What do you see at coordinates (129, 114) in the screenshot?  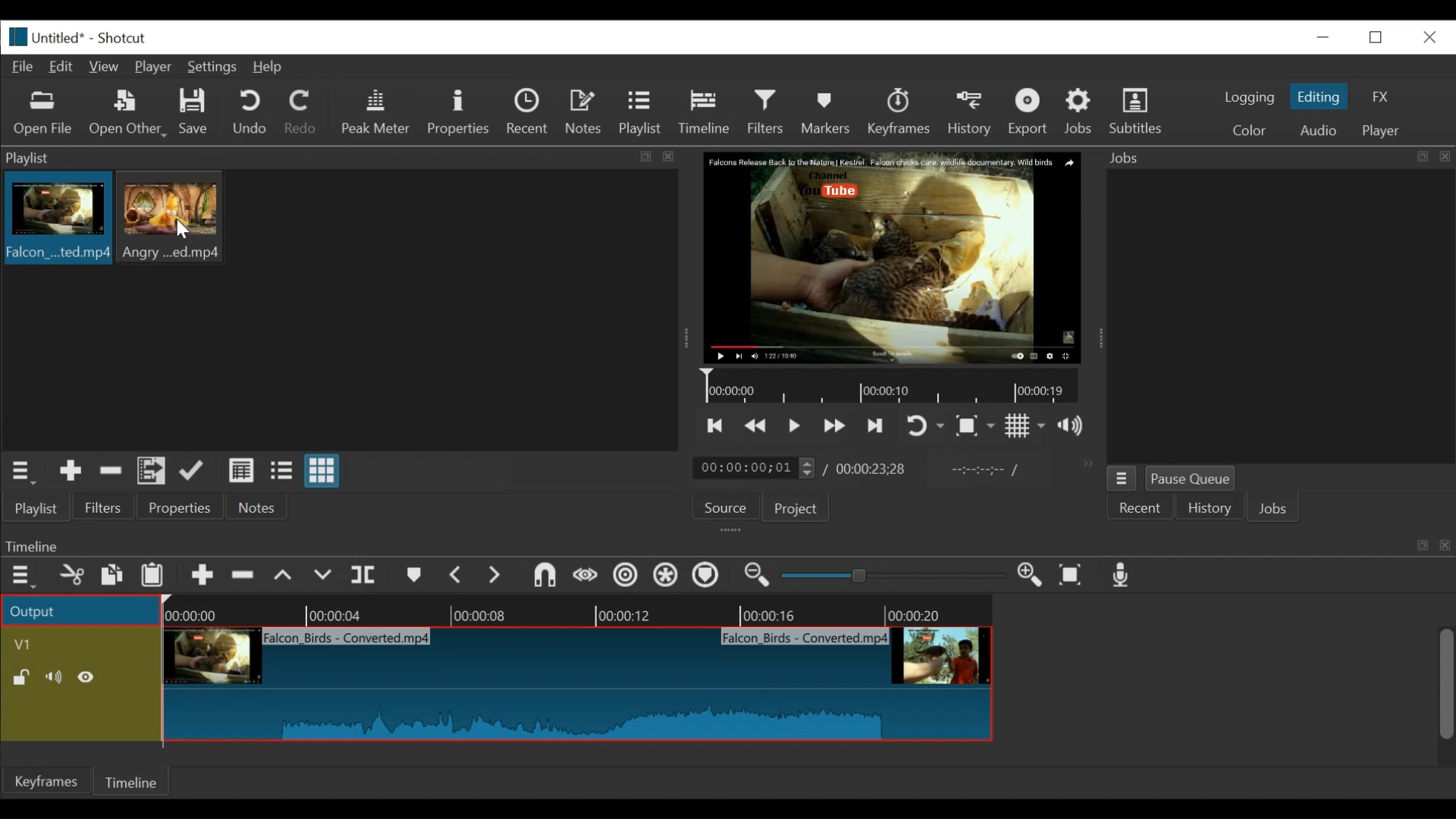 I see `Open Other` at bounding box center [129, 114].